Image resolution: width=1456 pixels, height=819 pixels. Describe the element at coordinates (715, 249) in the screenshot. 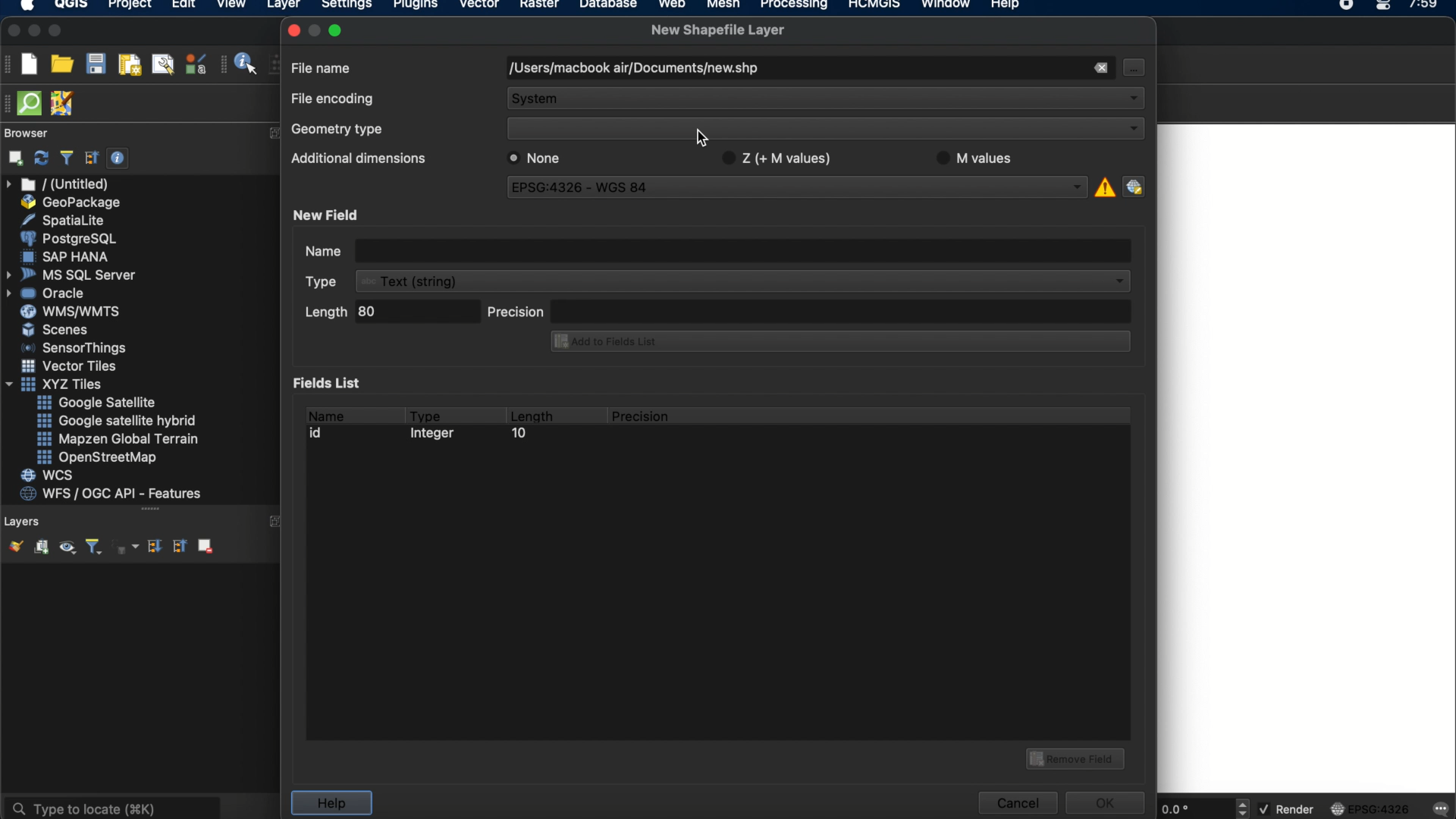

I see `name text box` at that location.